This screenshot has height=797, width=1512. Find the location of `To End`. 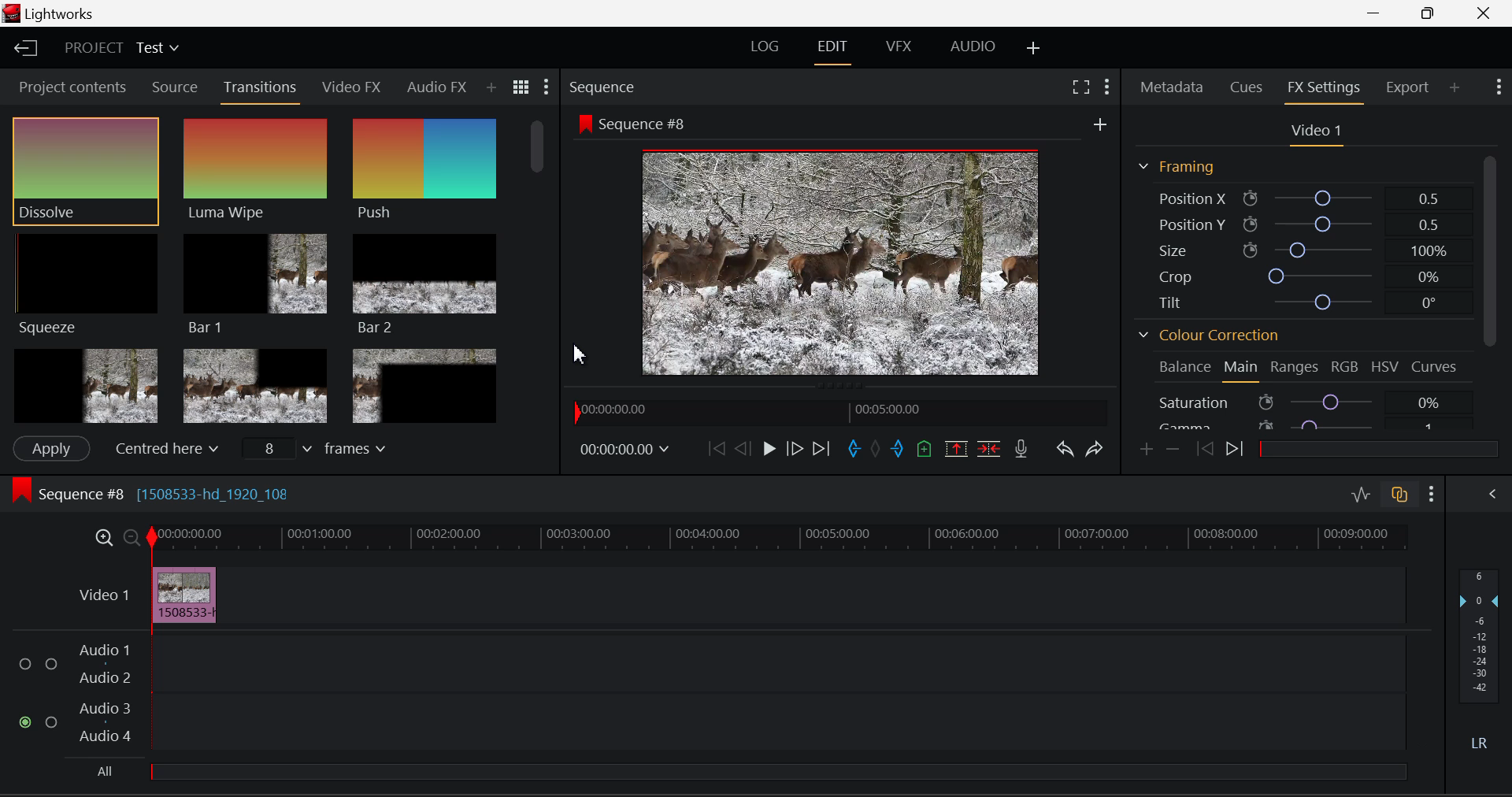

To End is located at coordinates (821, 449).